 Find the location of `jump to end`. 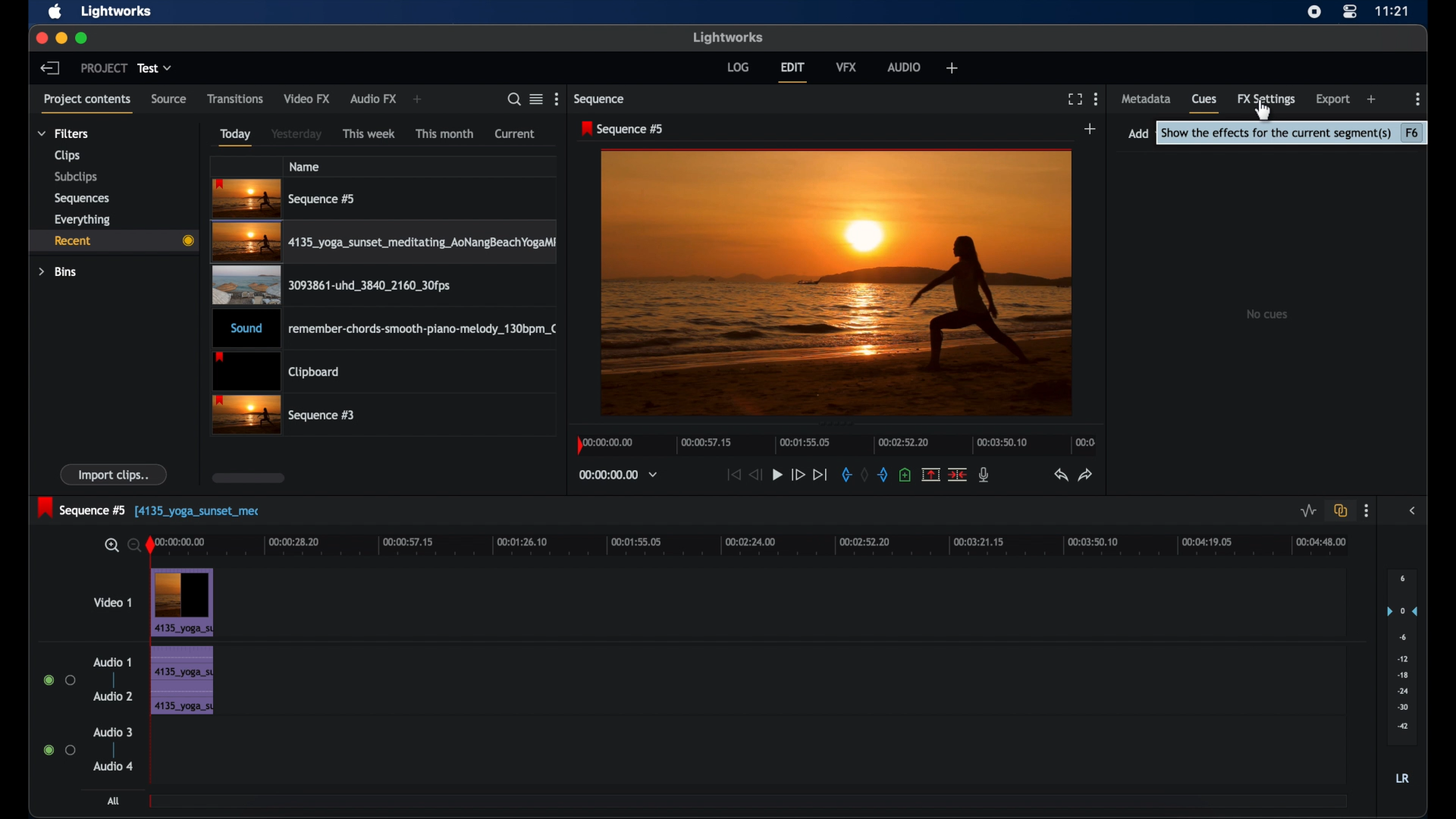

jump to end is located at coordinates (820, 475).